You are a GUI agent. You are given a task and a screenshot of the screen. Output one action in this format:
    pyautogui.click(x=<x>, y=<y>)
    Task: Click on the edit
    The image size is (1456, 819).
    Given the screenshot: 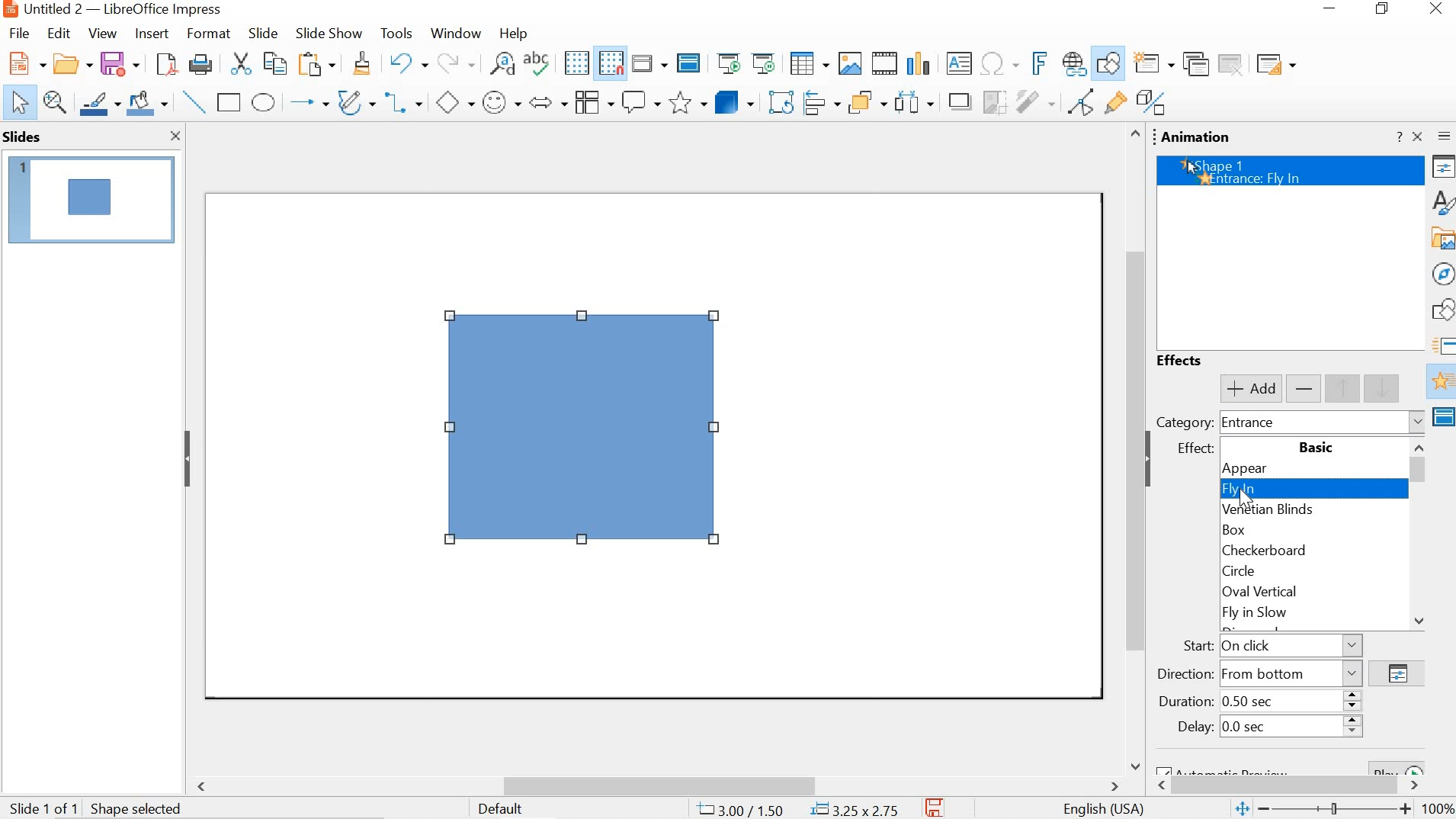 What is the action you would take?
    pyautogui.click(x=59, y=35)
    